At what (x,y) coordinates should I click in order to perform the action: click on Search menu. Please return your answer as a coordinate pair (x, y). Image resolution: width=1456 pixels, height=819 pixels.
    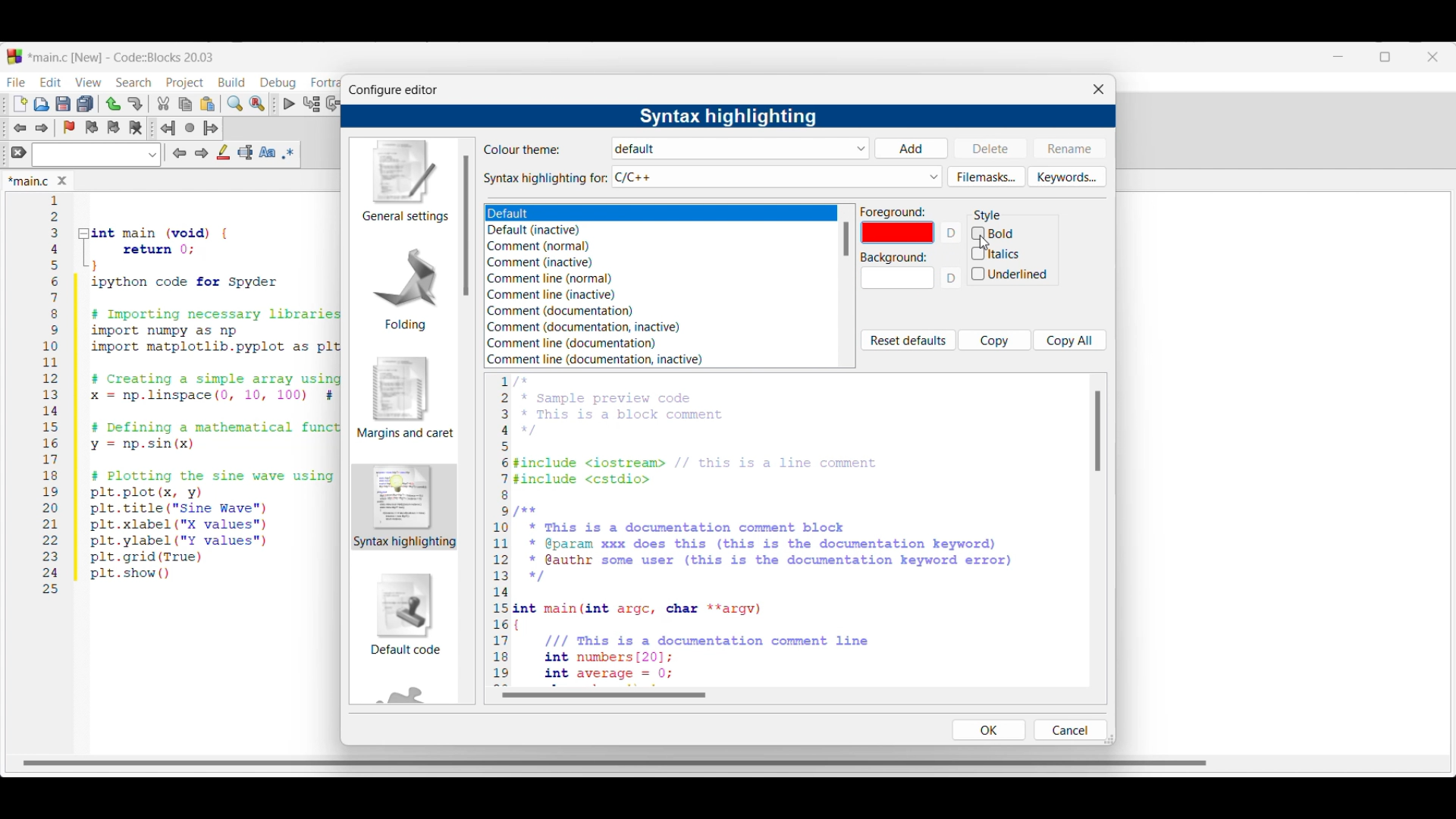
    Looking at the image, I should click on (133, 83).